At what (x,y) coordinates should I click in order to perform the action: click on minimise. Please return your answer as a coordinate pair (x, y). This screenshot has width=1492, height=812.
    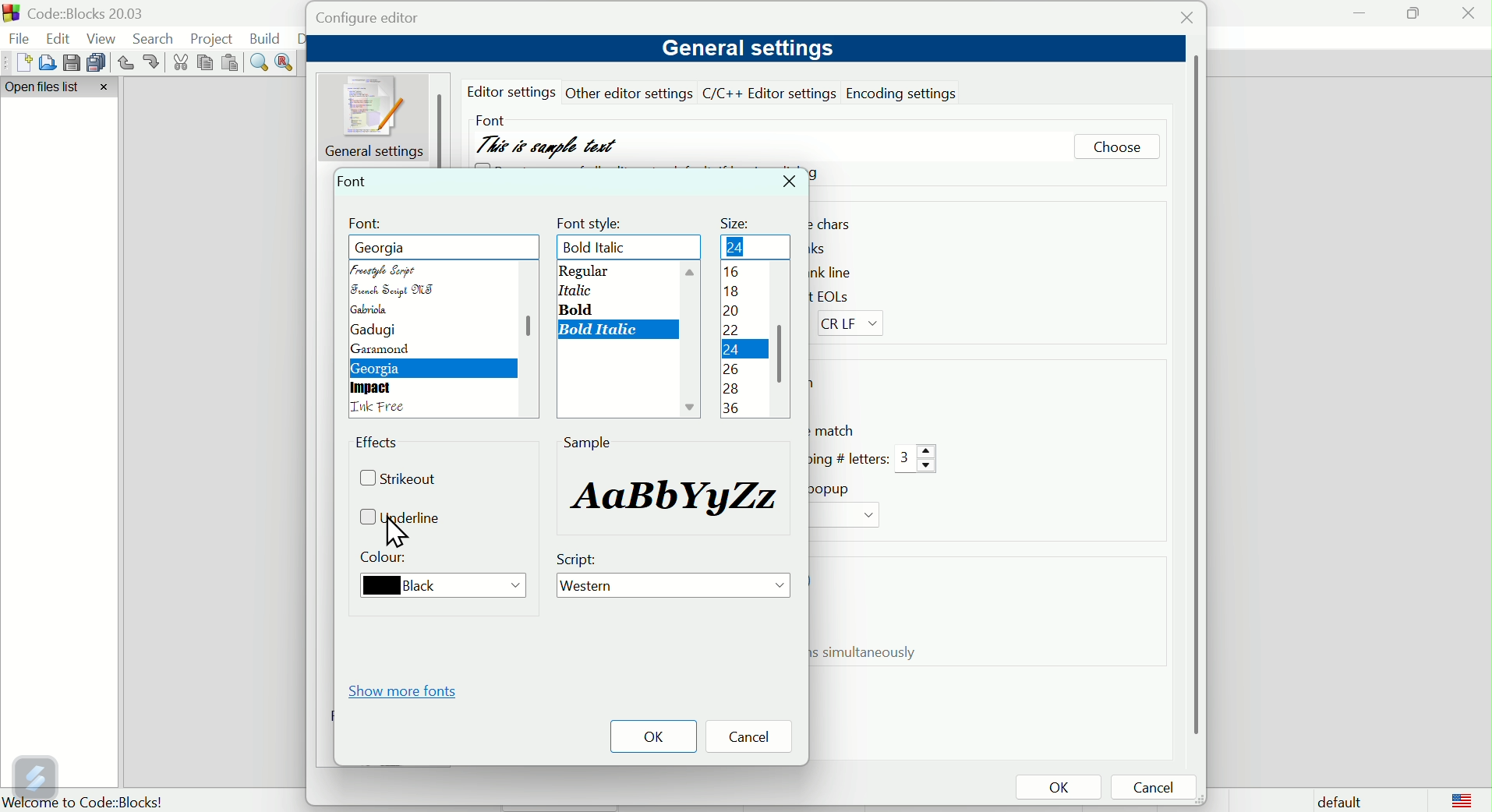
    Looking at the image, I should click on (1360, 12).